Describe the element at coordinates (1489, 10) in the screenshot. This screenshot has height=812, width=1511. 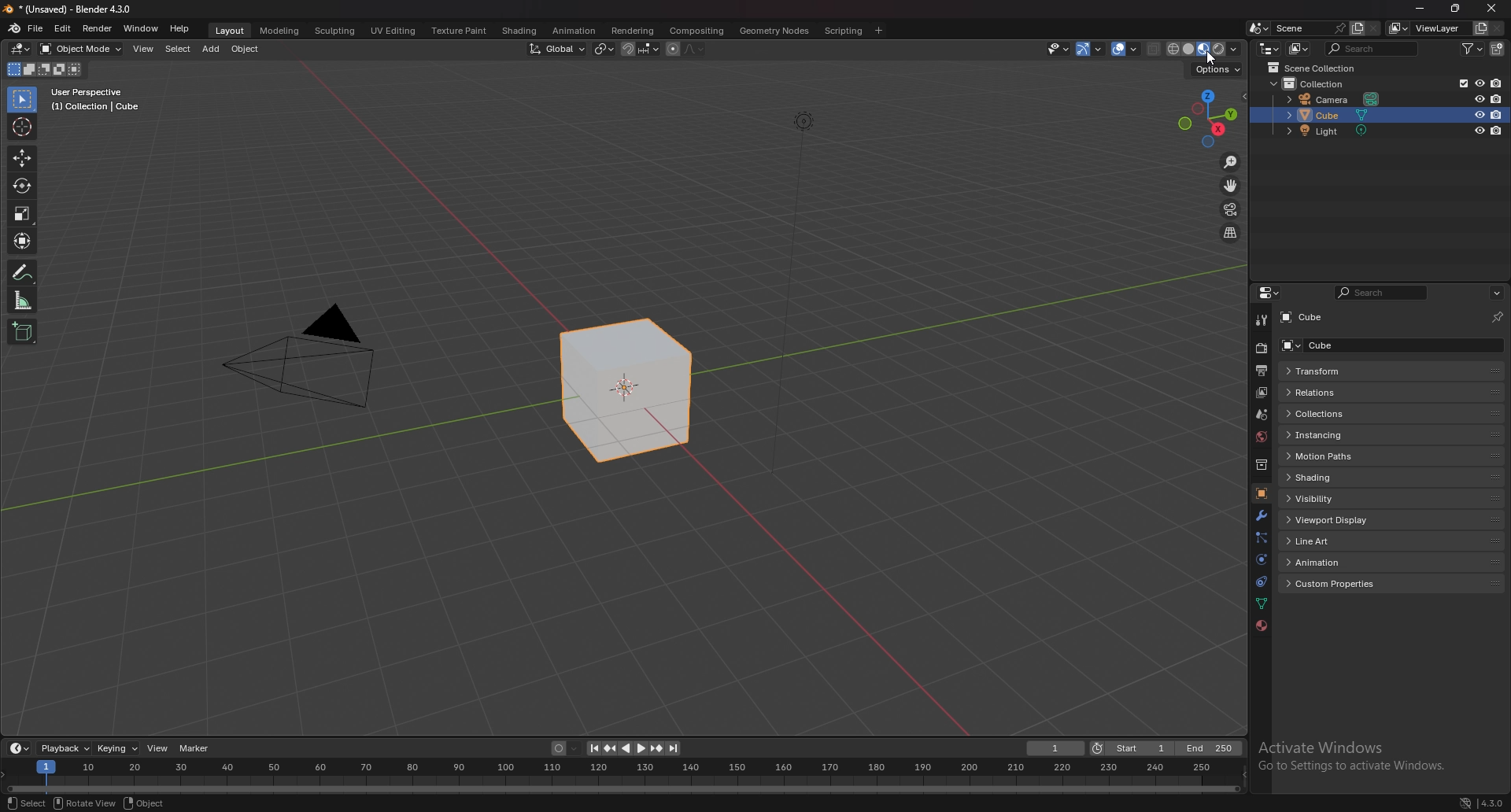
I see `close` at that location.